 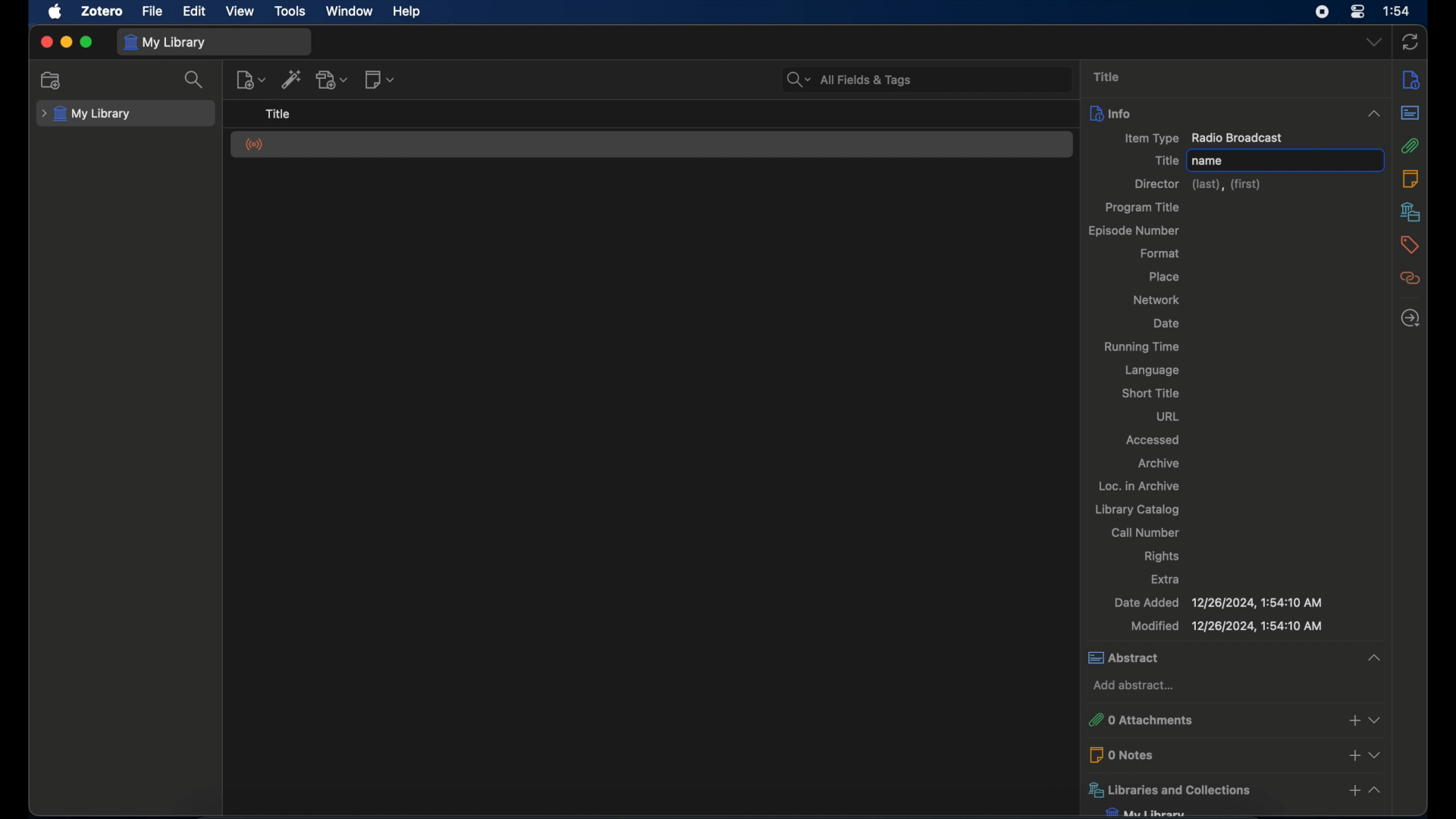 I want to click on tools, so click(x=291, y=11).